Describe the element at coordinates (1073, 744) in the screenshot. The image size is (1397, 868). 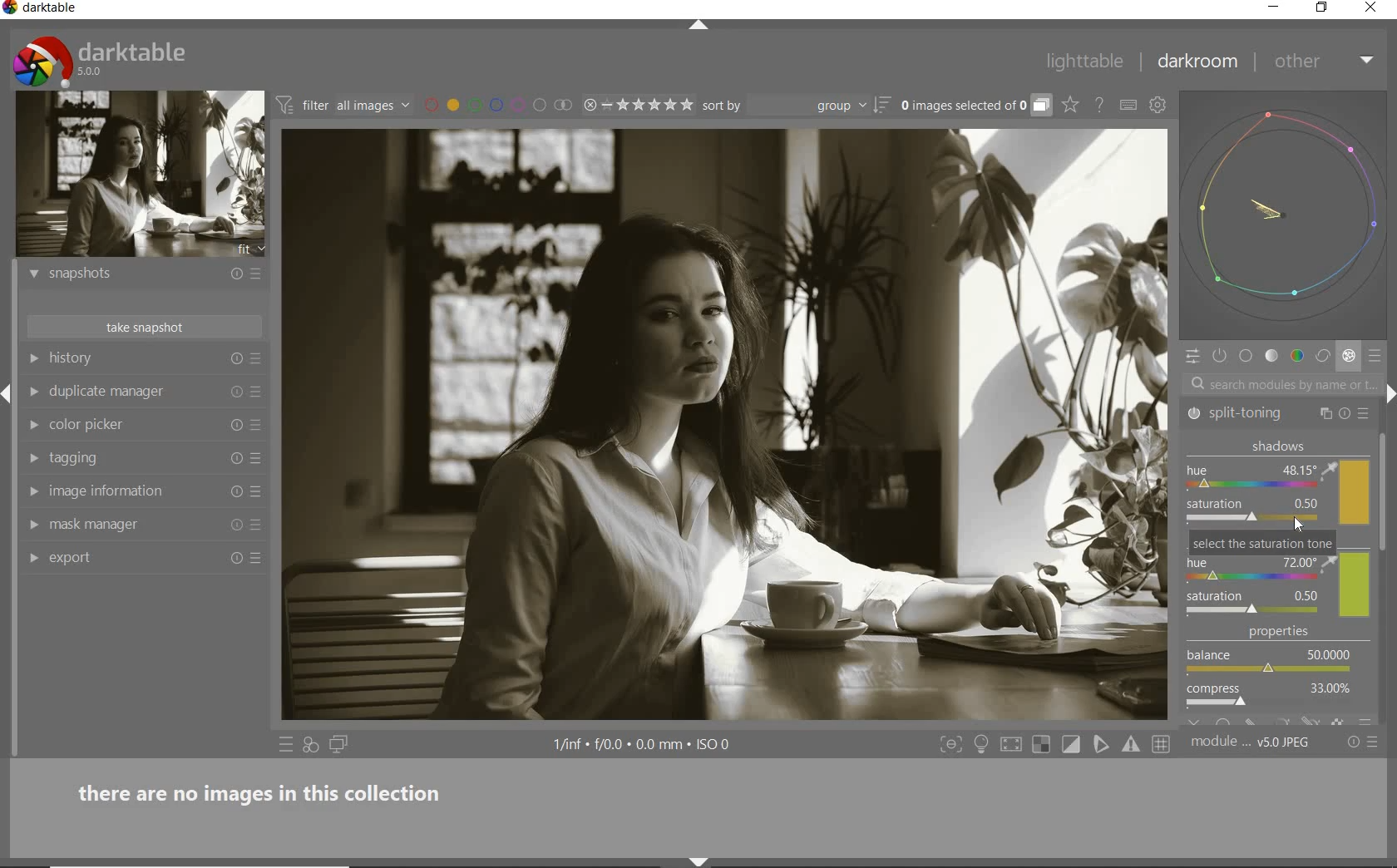
I see `toggle clipping indication` at that location.